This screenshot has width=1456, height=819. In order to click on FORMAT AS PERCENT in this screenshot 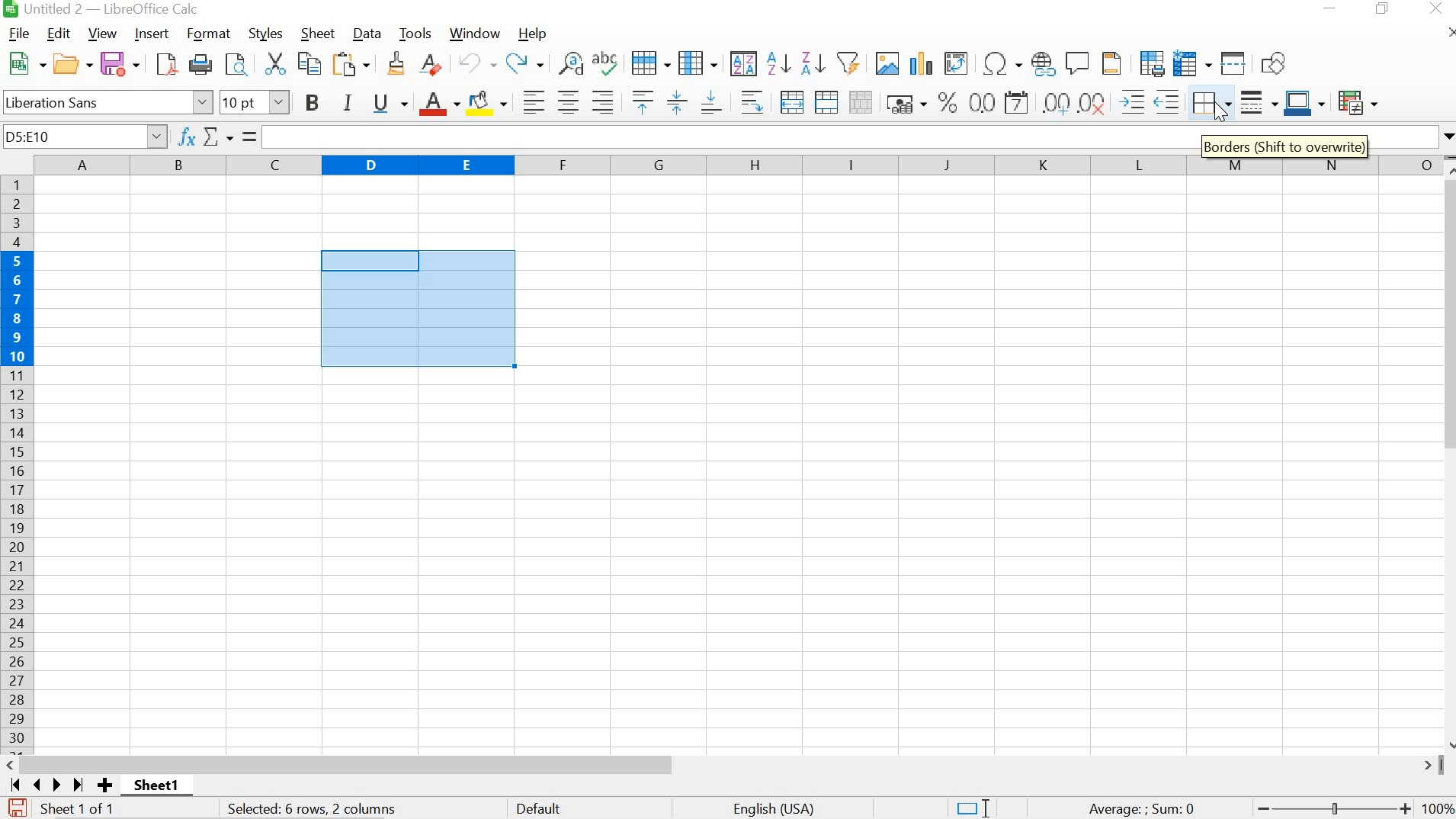, I will do `click(947, 103)`.